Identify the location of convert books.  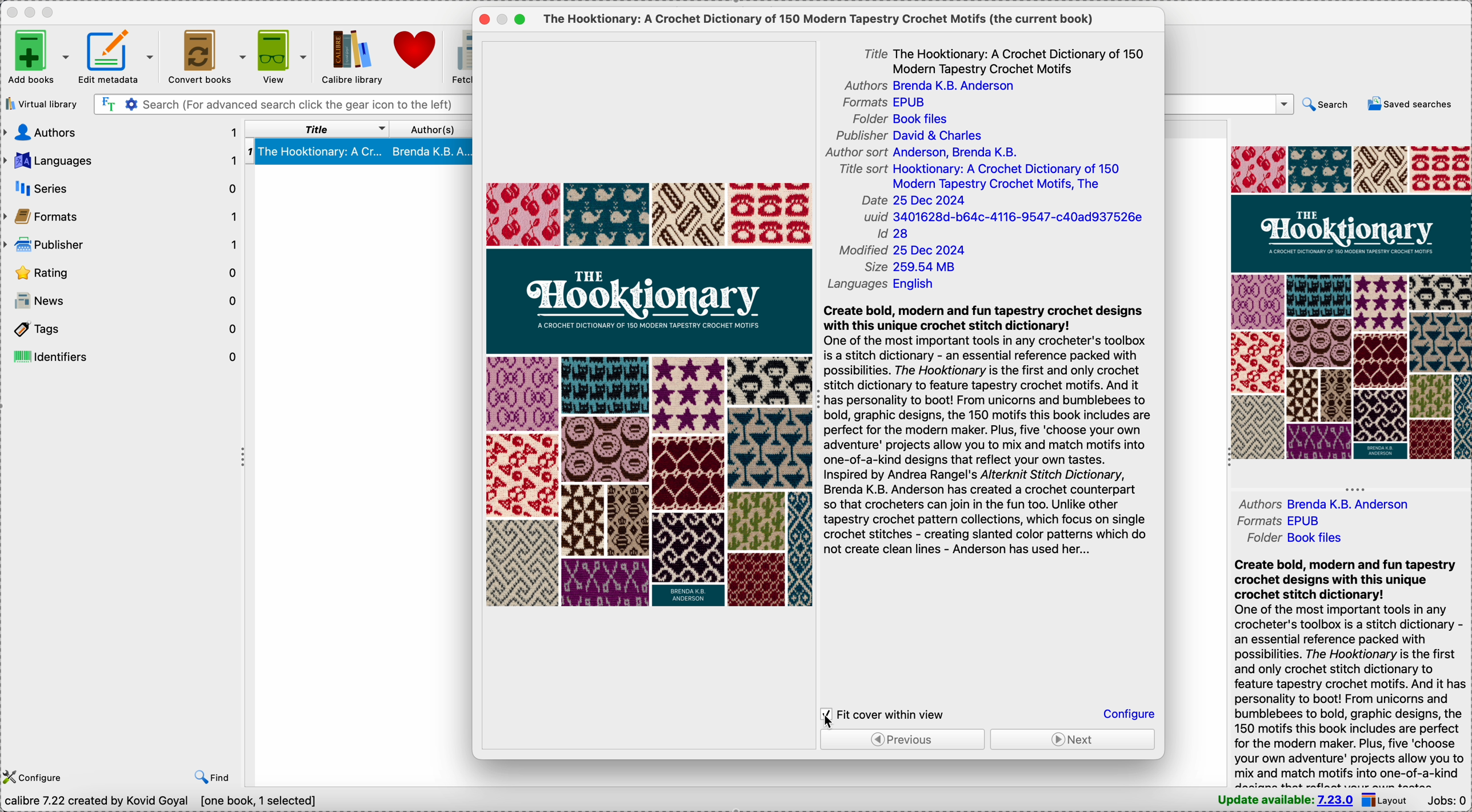
(206, 56).